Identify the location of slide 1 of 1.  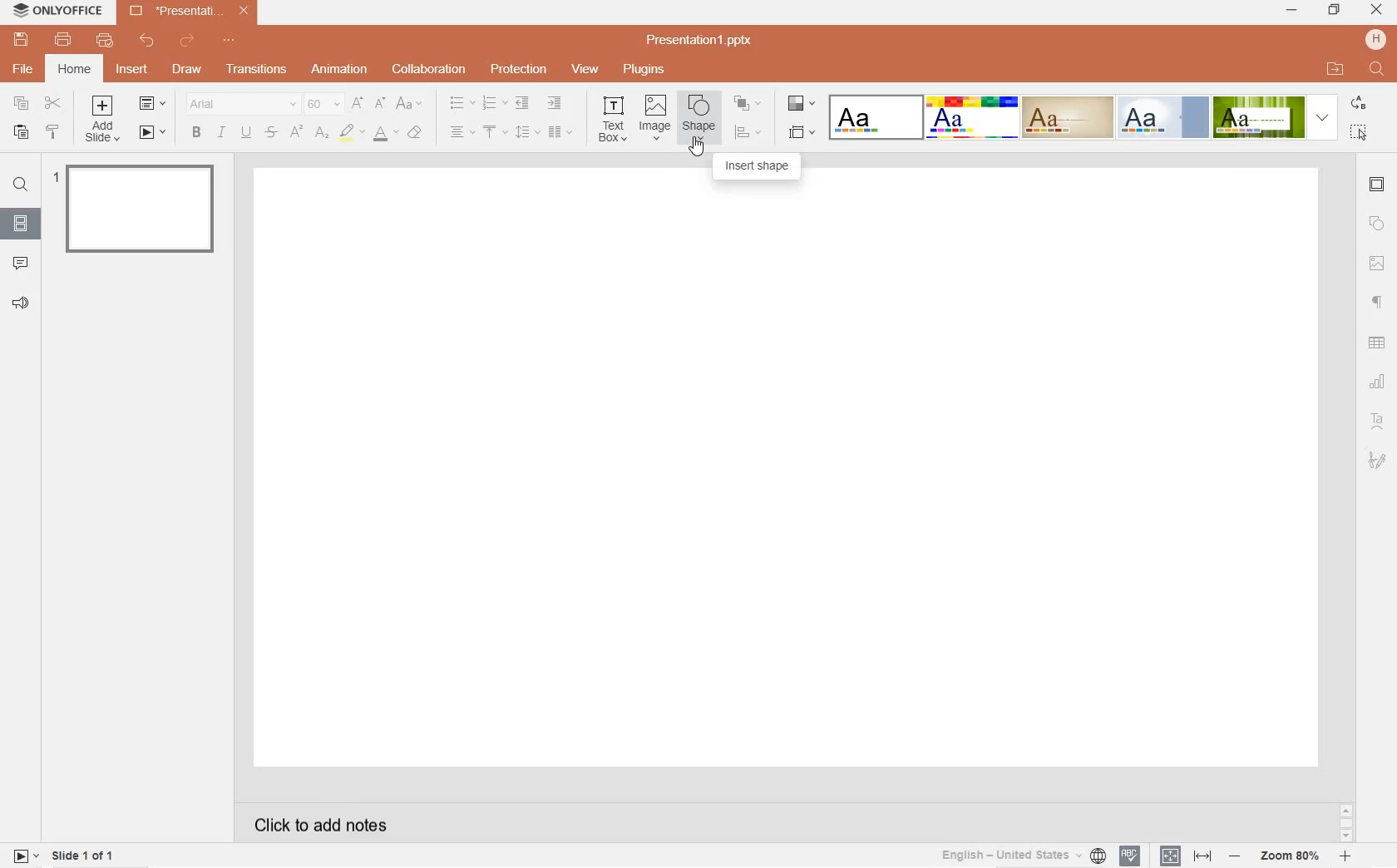
(85, 858).